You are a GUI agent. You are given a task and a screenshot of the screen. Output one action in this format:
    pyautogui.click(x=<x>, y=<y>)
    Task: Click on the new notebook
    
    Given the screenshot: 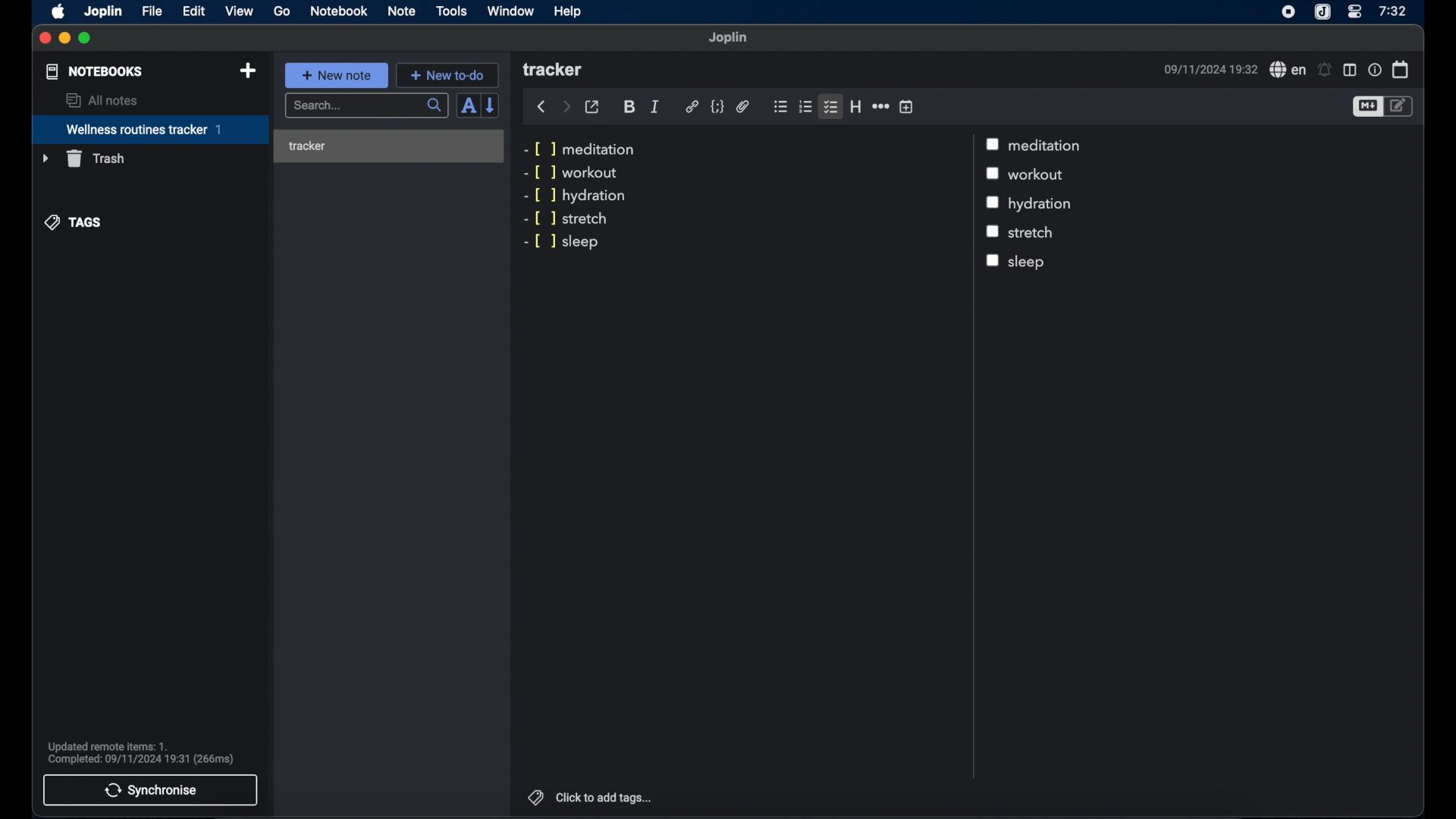 What is the action you would take?
    pyautogui.click(x=249, y=71)
    